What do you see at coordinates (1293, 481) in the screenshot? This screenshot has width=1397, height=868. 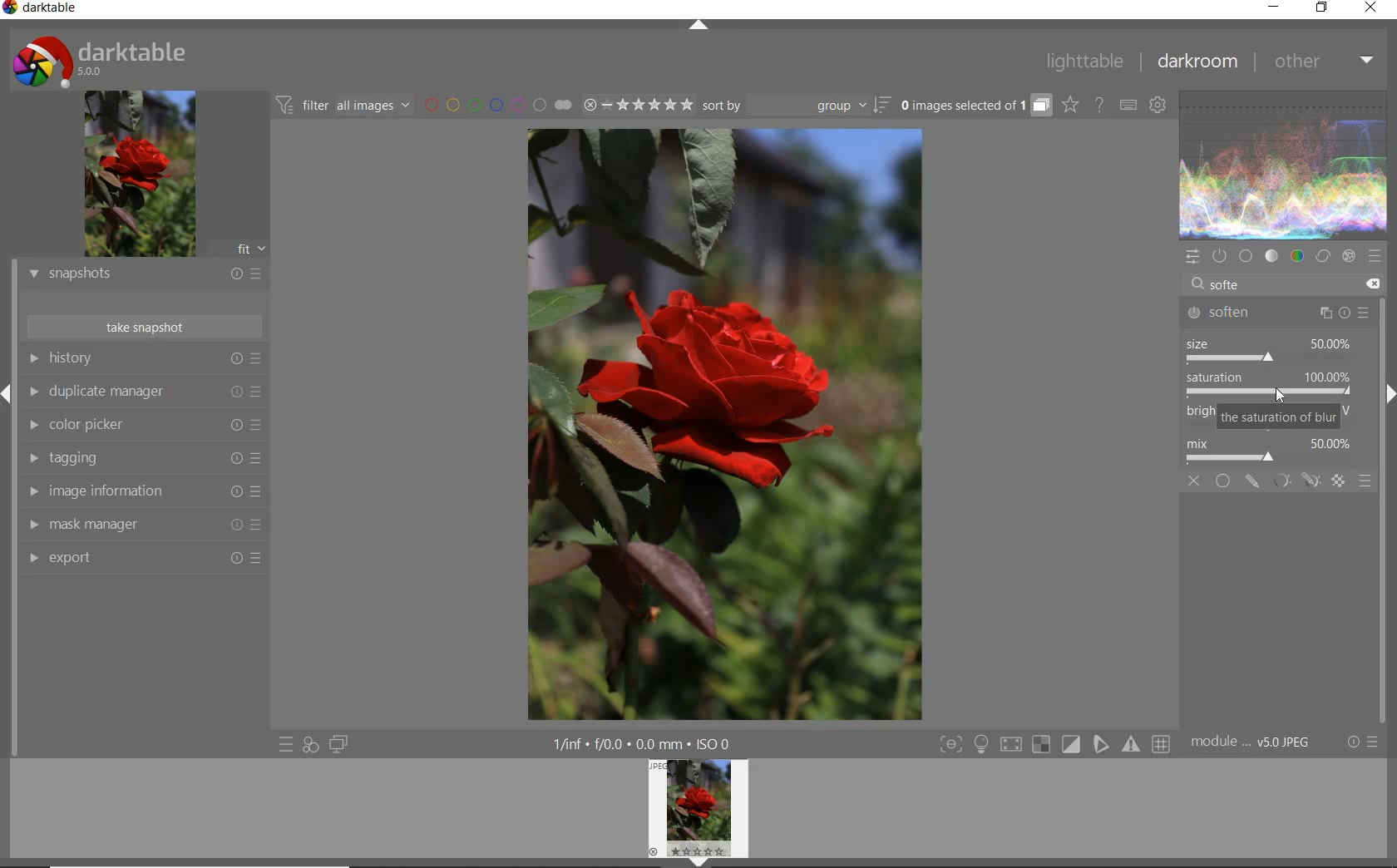 I see `mask options` at bounding box center [1293, 481].